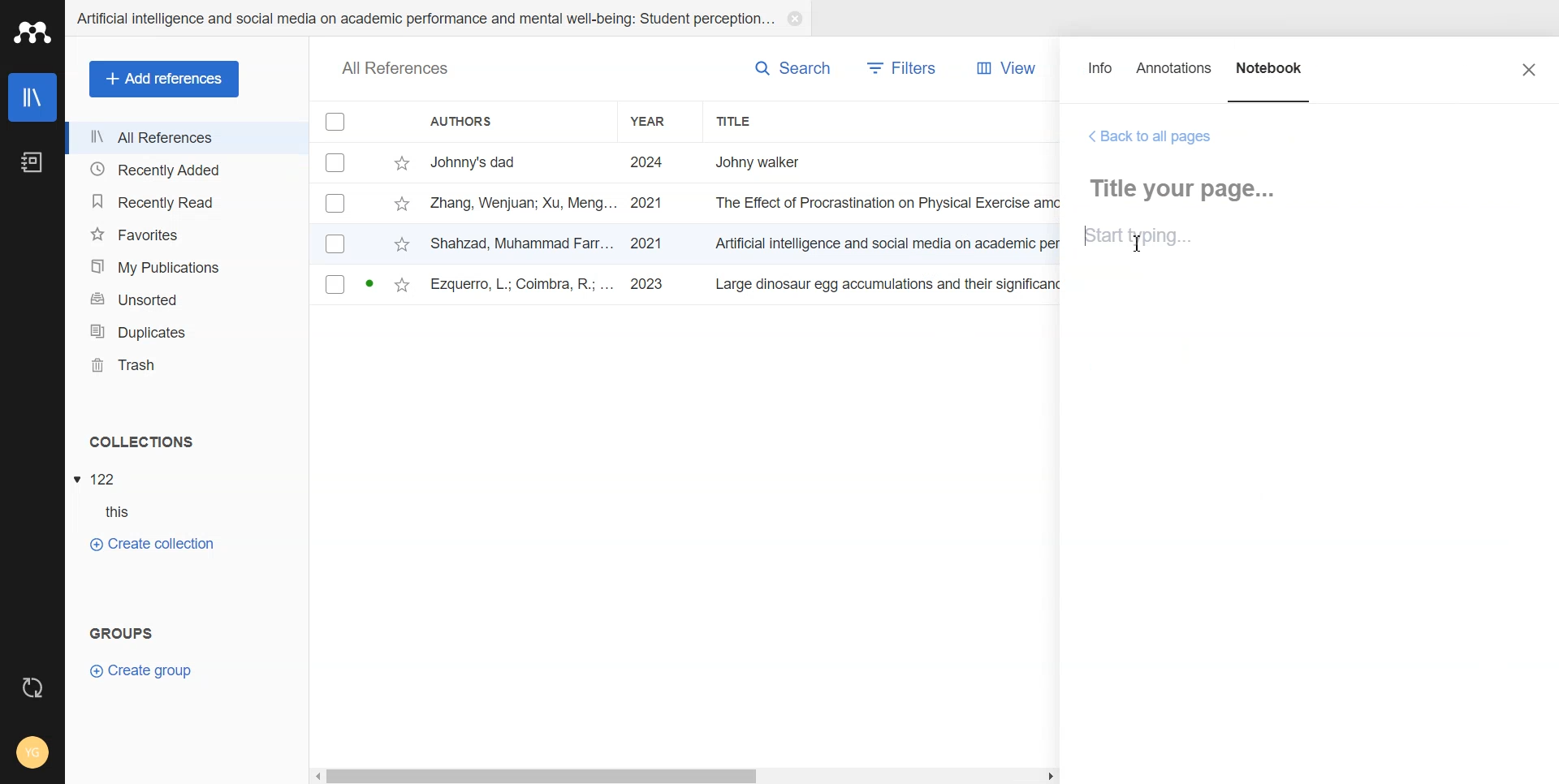 The width and height of the screenshot is (1559, 784). Describe the element at coordinates (890, 241) in the screenshot. I see `Artificial intelligence and social media on academic per` at that location.